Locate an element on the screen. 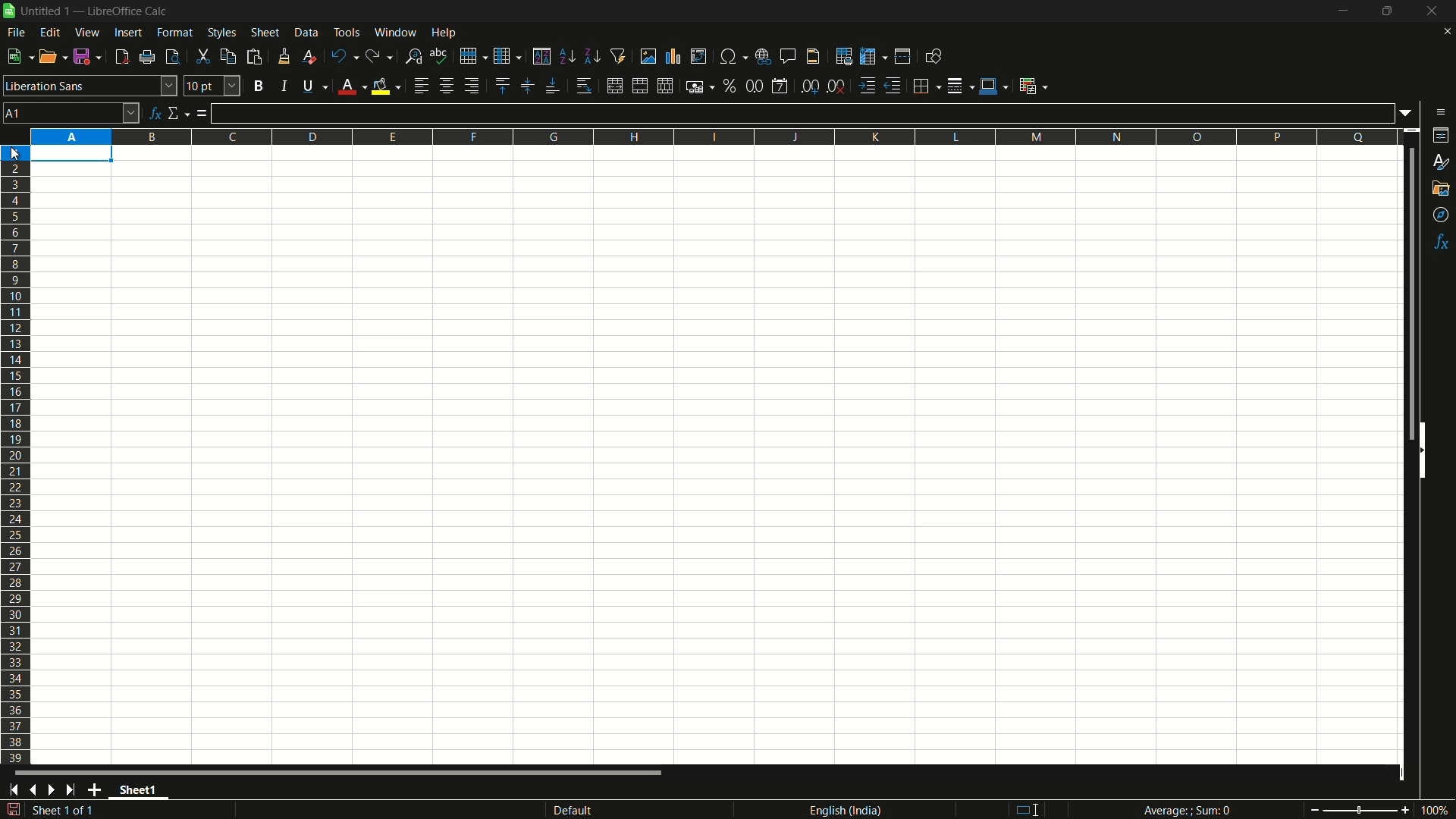  data menu is located at coordinates (306, 33).